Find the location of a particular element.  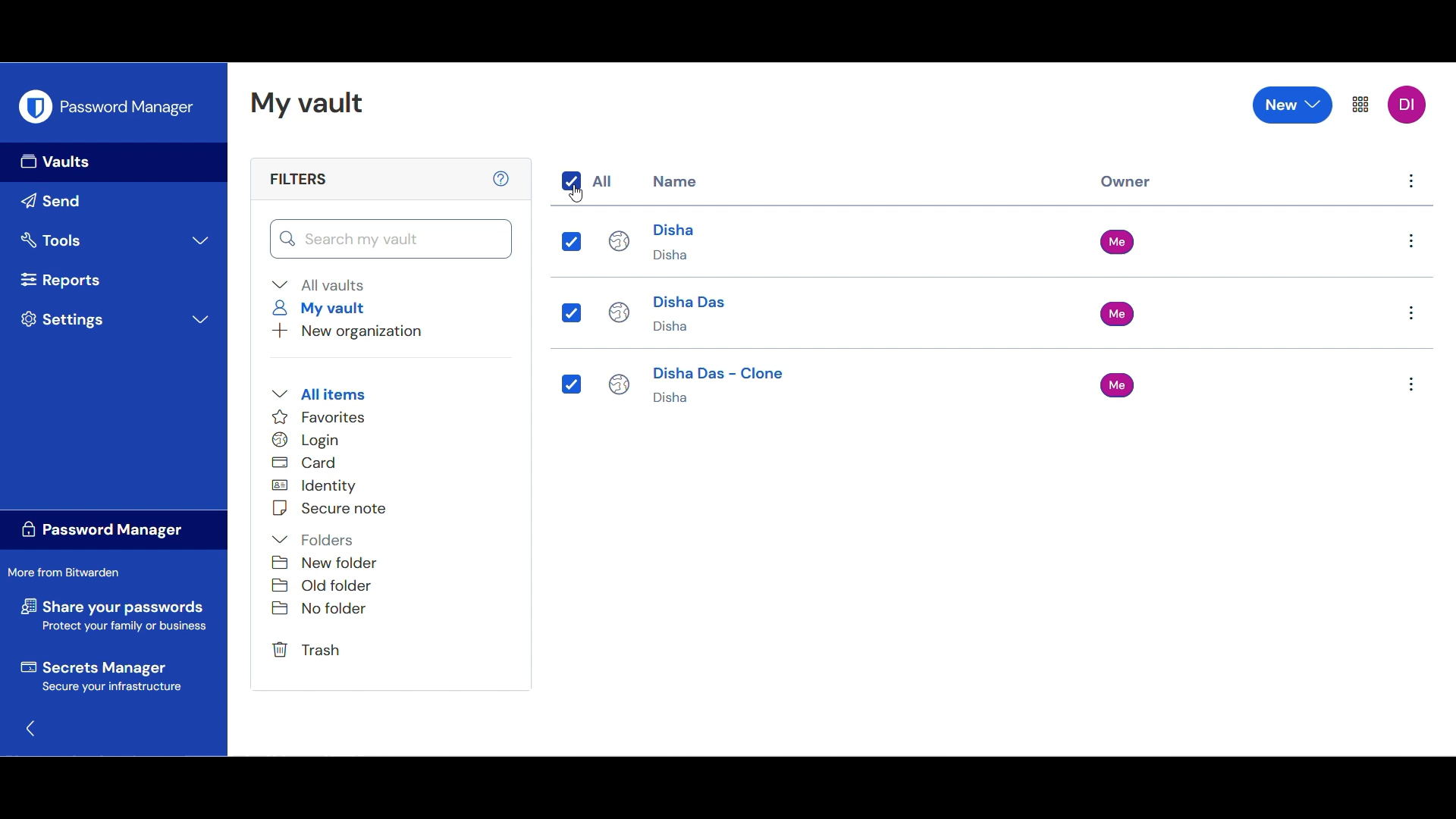

Reports is located at coordinates (115, 280).